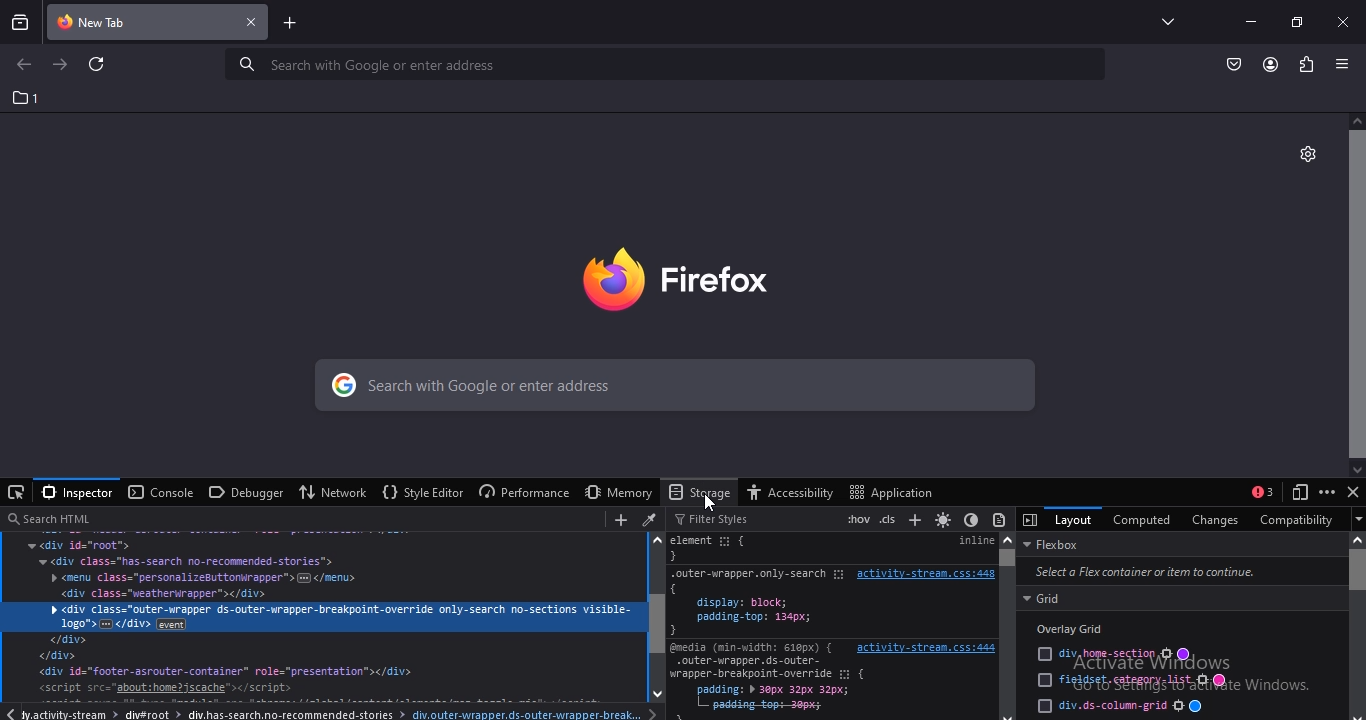  What do you see at coordinates (912, 518) in the screenshot?
I see `add newrule` at bounding box center [912, 518].